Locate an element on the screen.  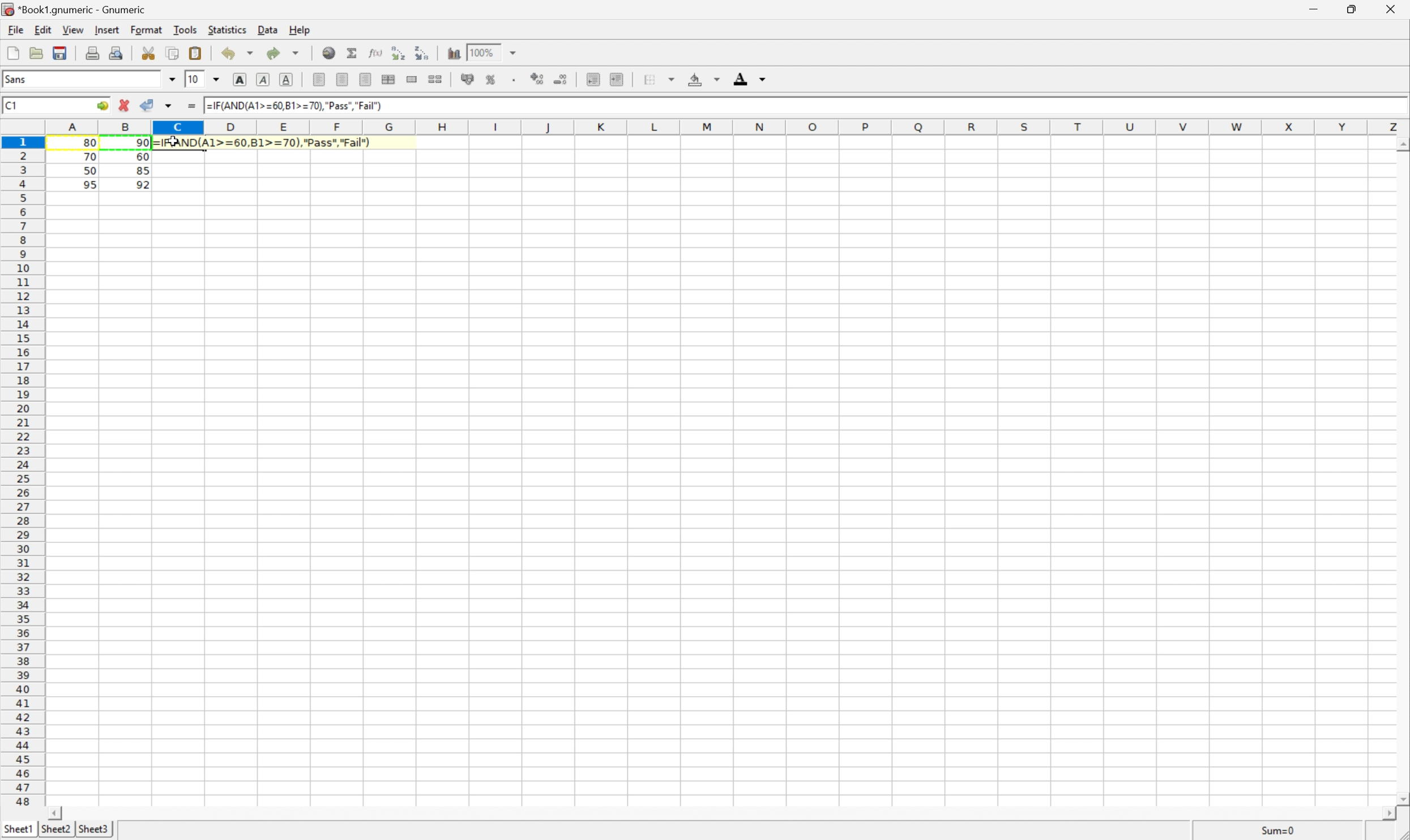
Underline is located at coordinates (288, 79).